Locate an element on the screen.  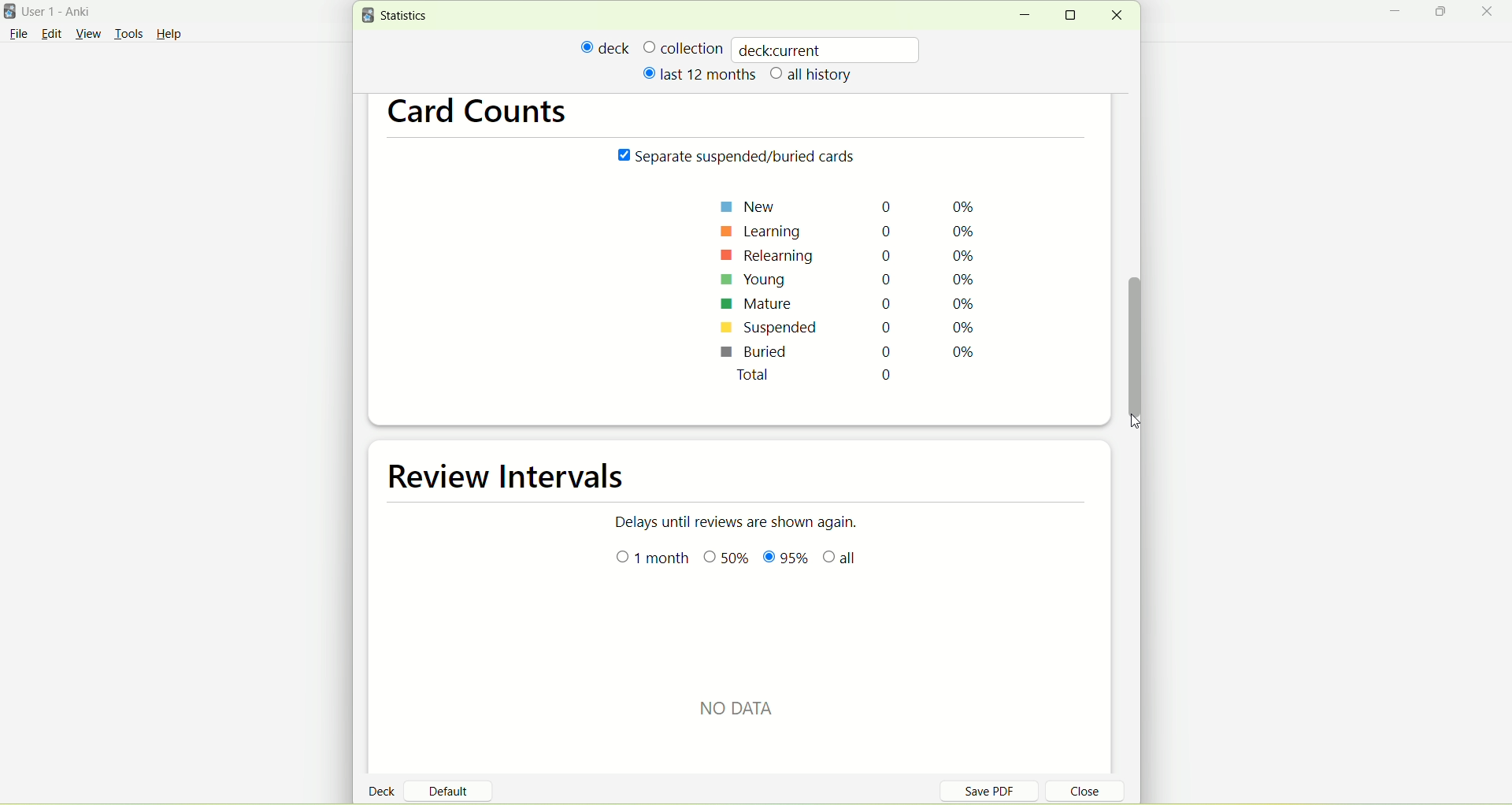
close is located at coordinates (1116, 16).